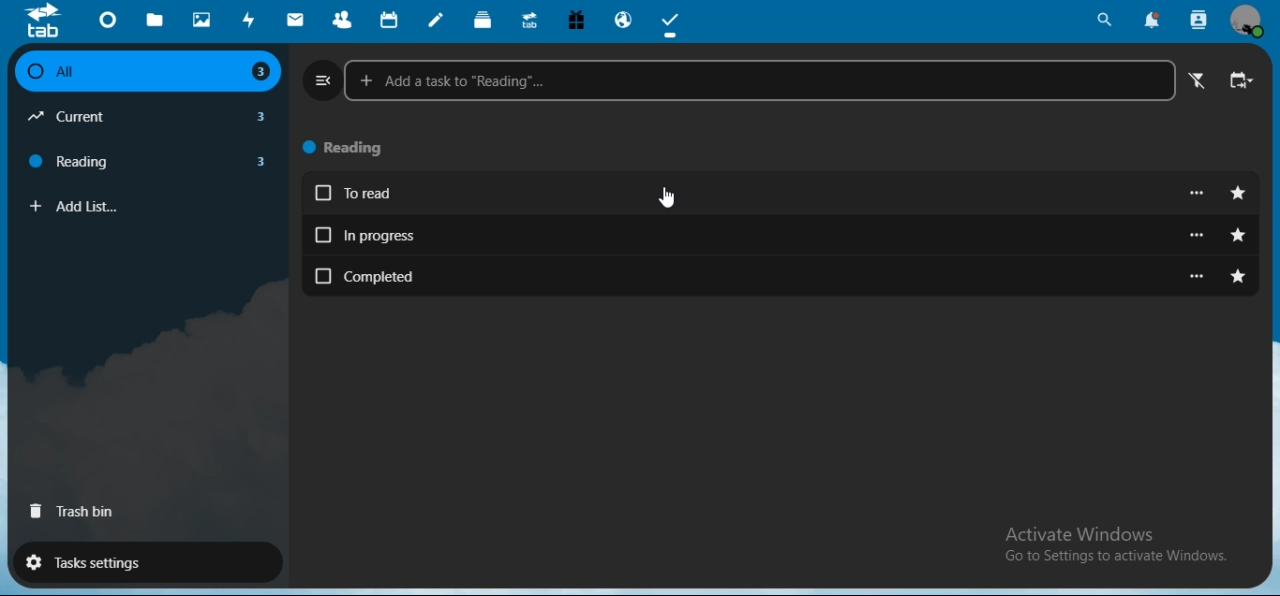 The image size is (1280, 596). I want to click on photos, so click(202, 19).